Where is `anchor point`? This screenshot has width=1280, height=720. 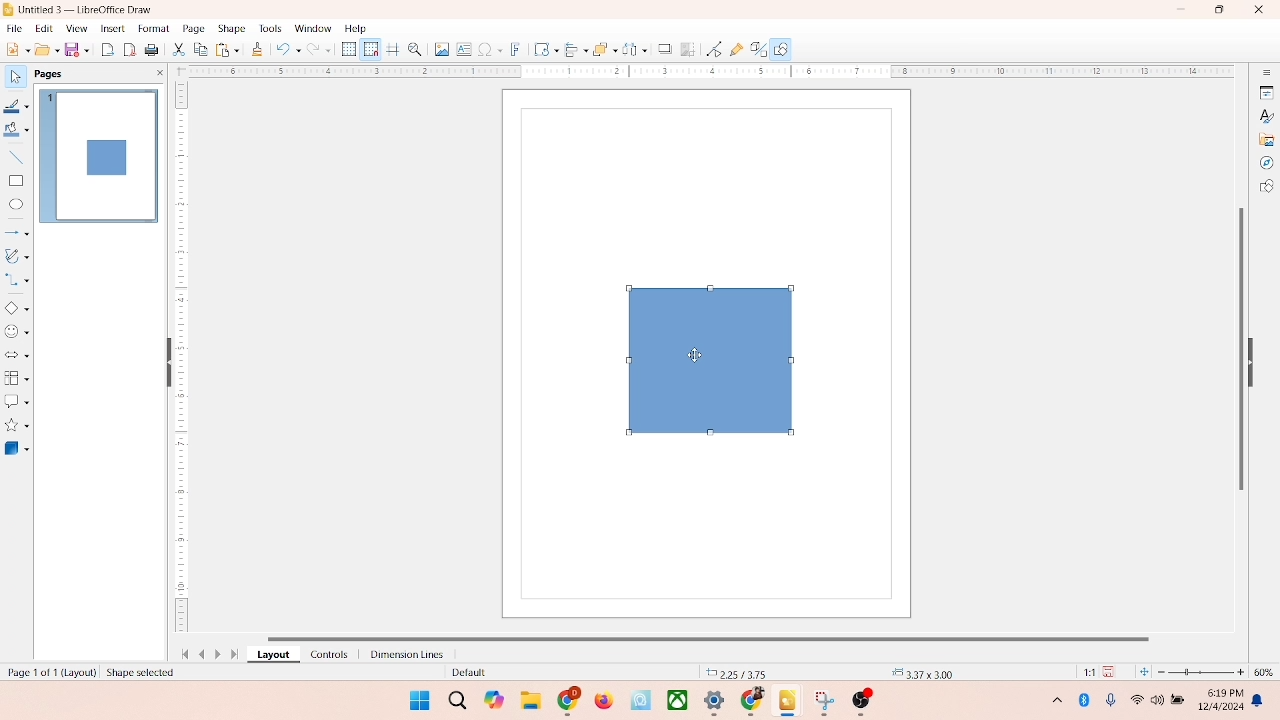 anchor point is located at coordinates (920, 671).